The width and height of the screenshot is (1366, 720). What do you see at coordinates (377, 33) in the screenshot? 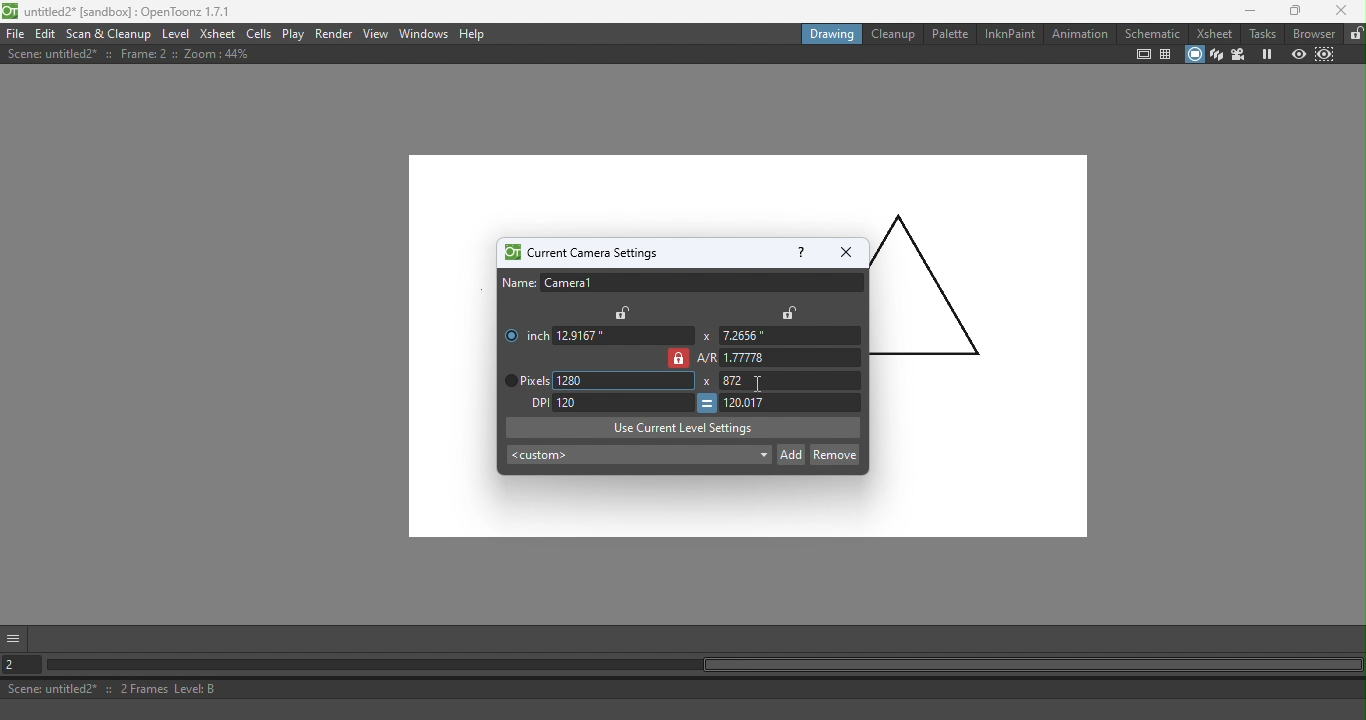
I see `View` at bounding box center [377, 33].